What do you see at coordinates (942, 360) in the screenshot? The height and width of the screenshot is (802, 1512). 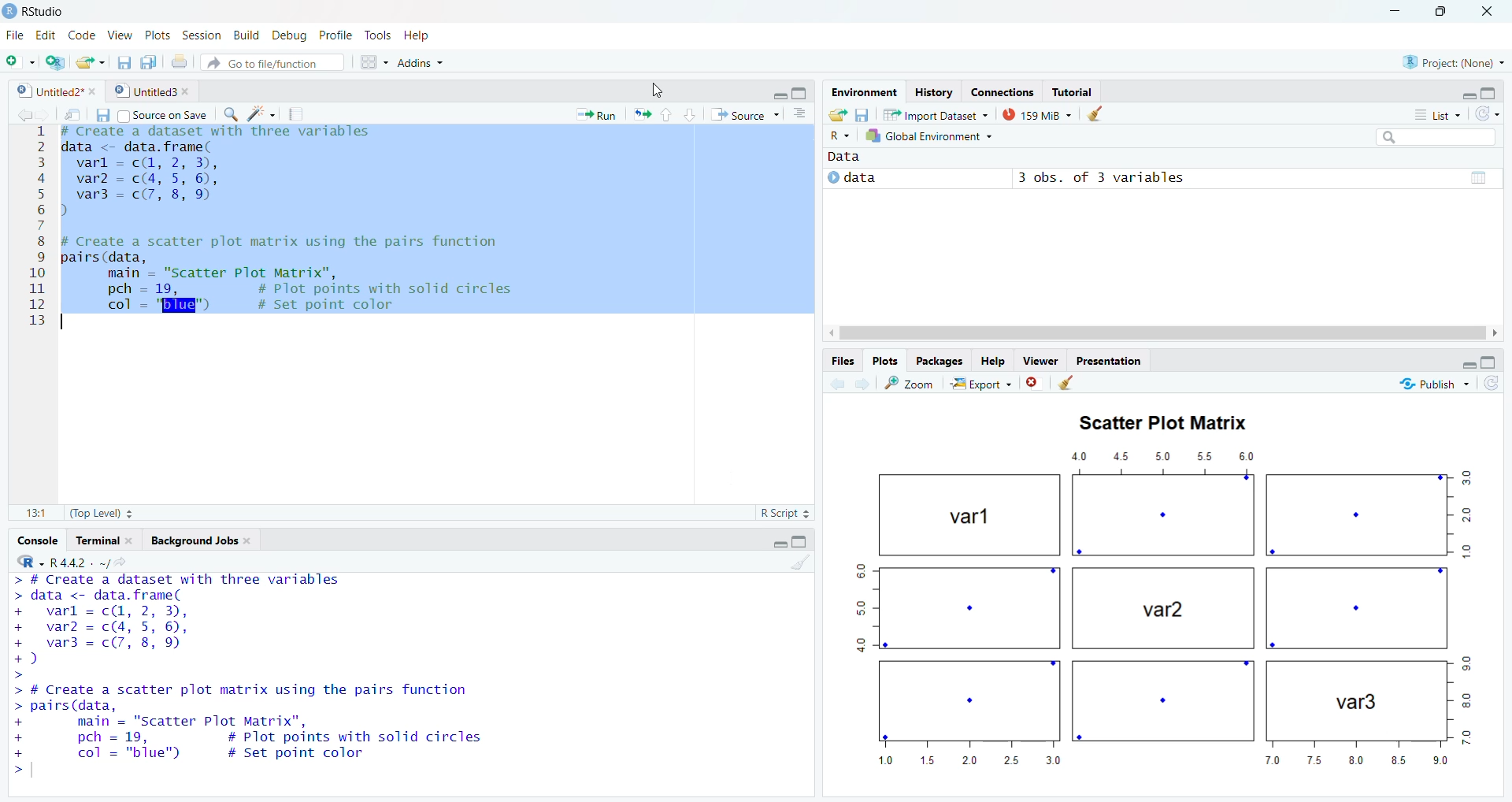 I see `Packages` at bounding box center [942, 360].